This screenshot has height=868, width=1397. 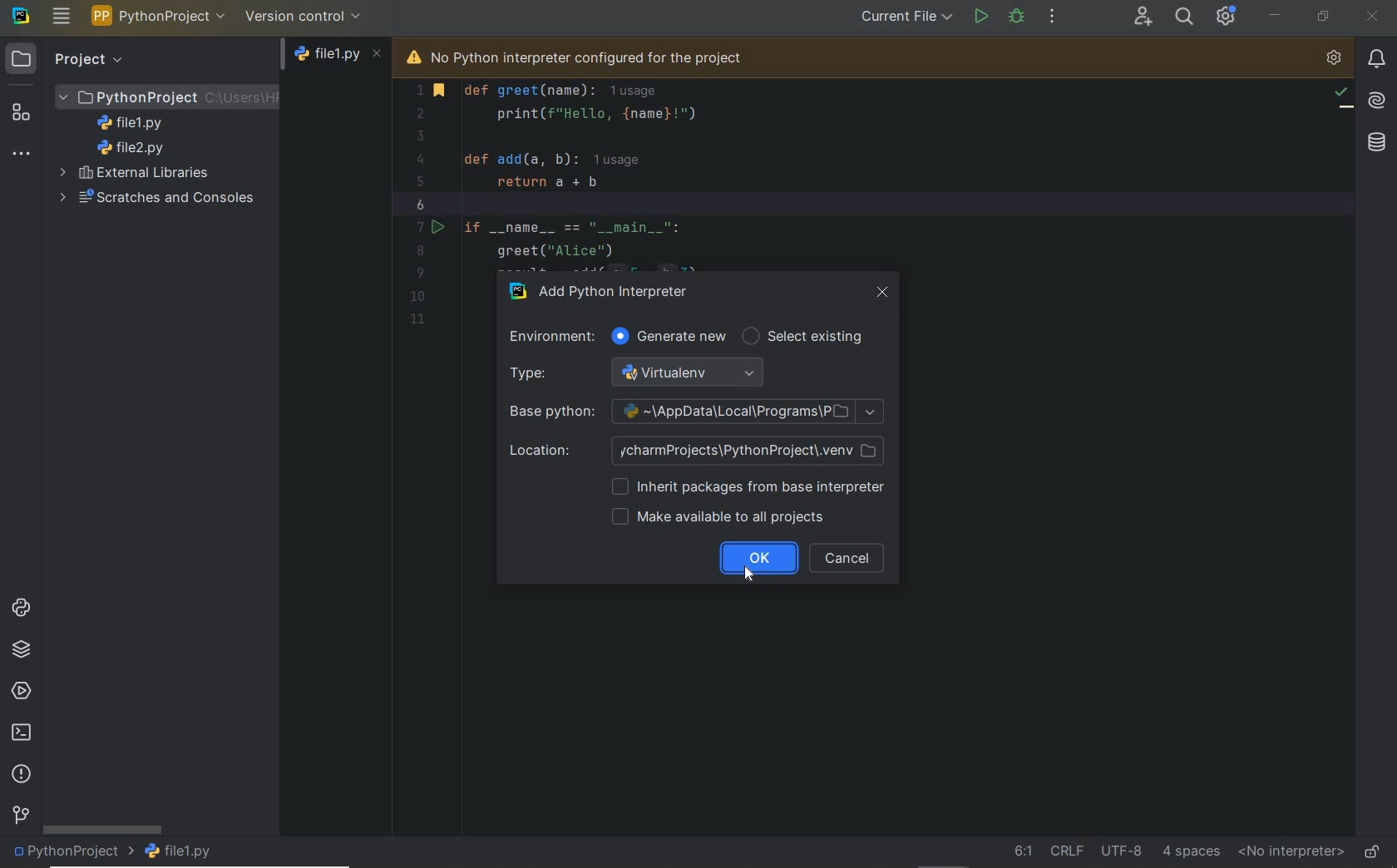 What do you see at coordinates (23, 775) in the screenshot?
I see `problems` at bounding box center [23, 775].